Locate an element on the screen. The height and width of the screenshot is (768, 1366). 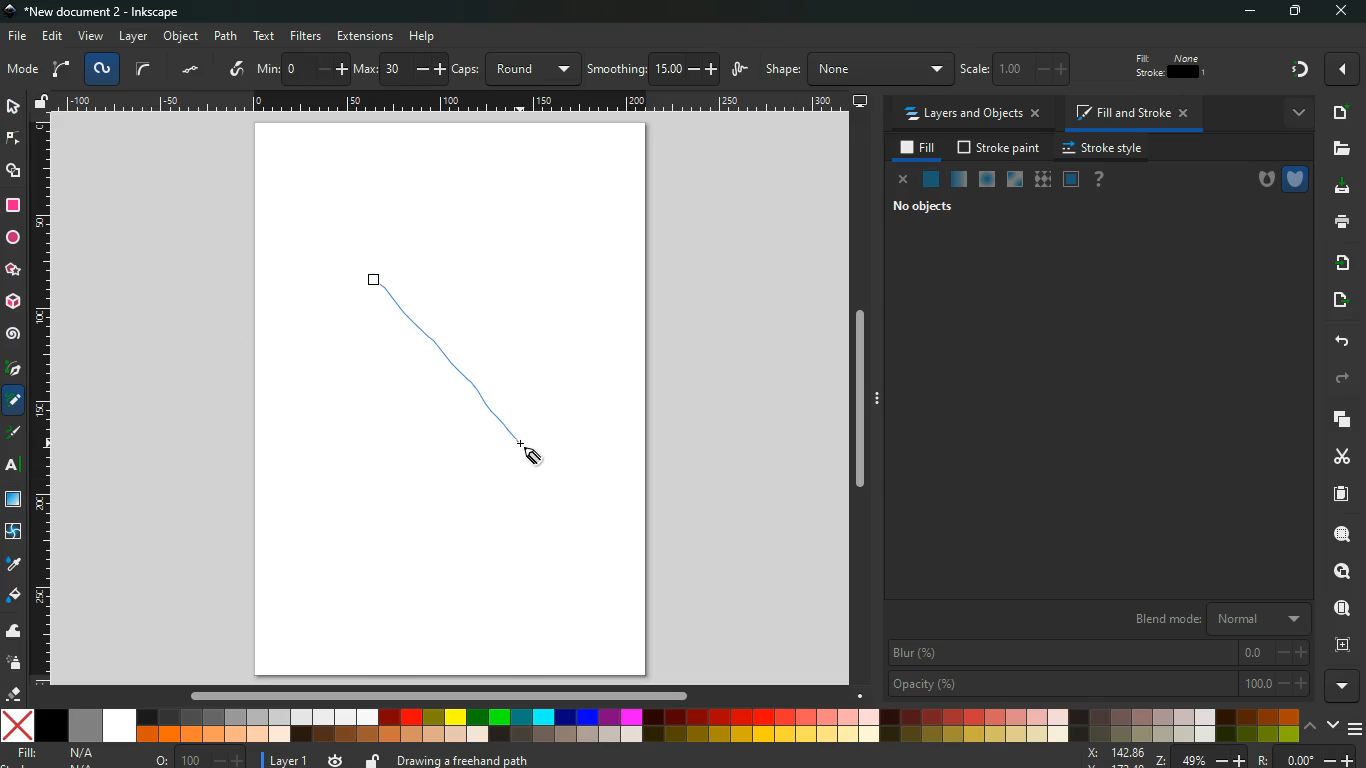
minimize is located at coordinates (1243, 12).